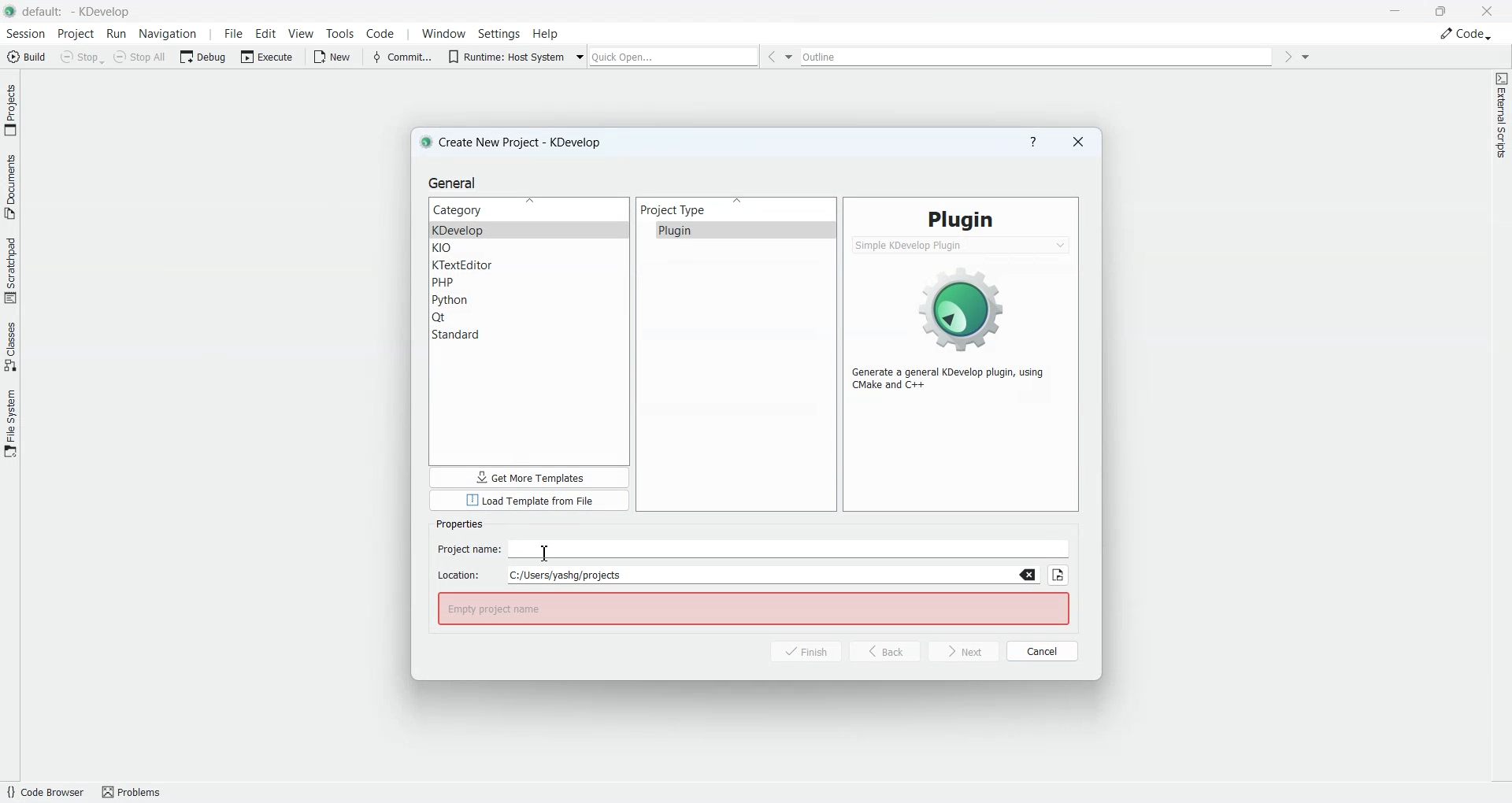 Image resolution: width=1512 pixels, height=803 pixels. I want to click on Settings, so click(499, 33).